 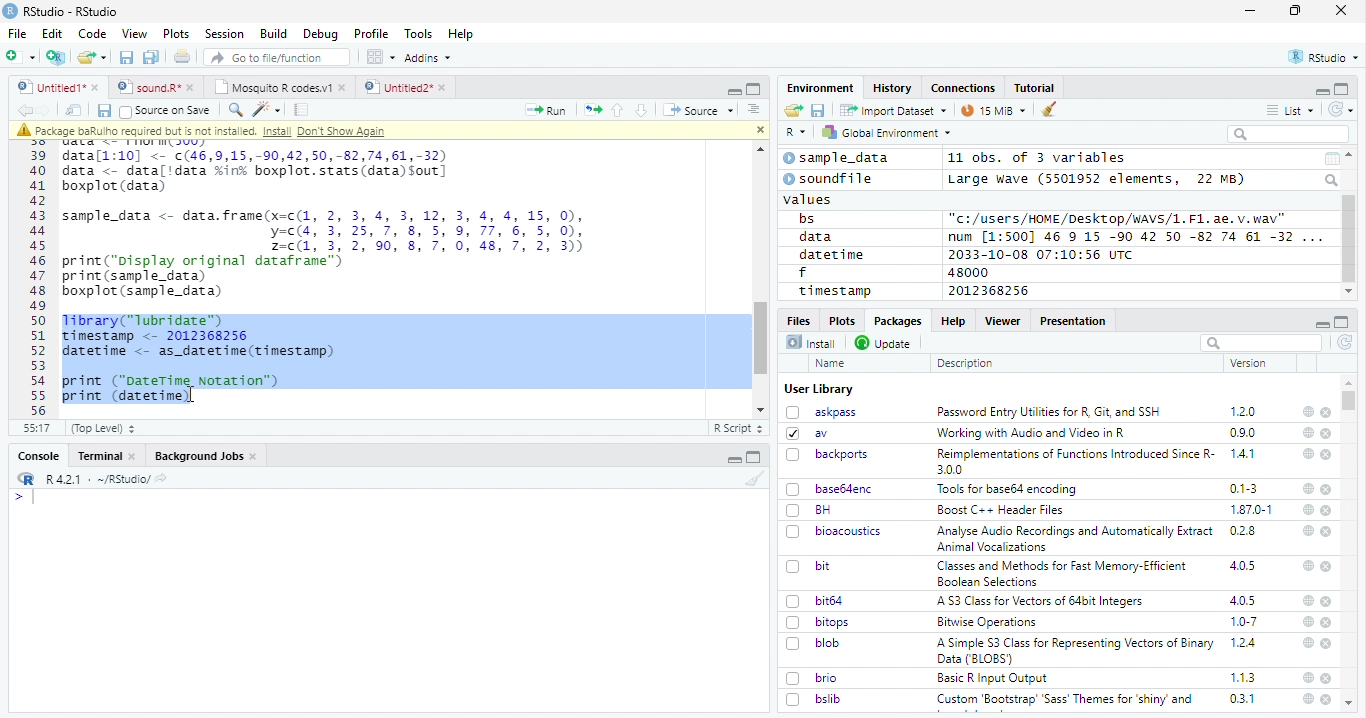 What do you see at coordinates (10, 11) in the screenshot?
I see `logo` at bounding box center [10, 11].